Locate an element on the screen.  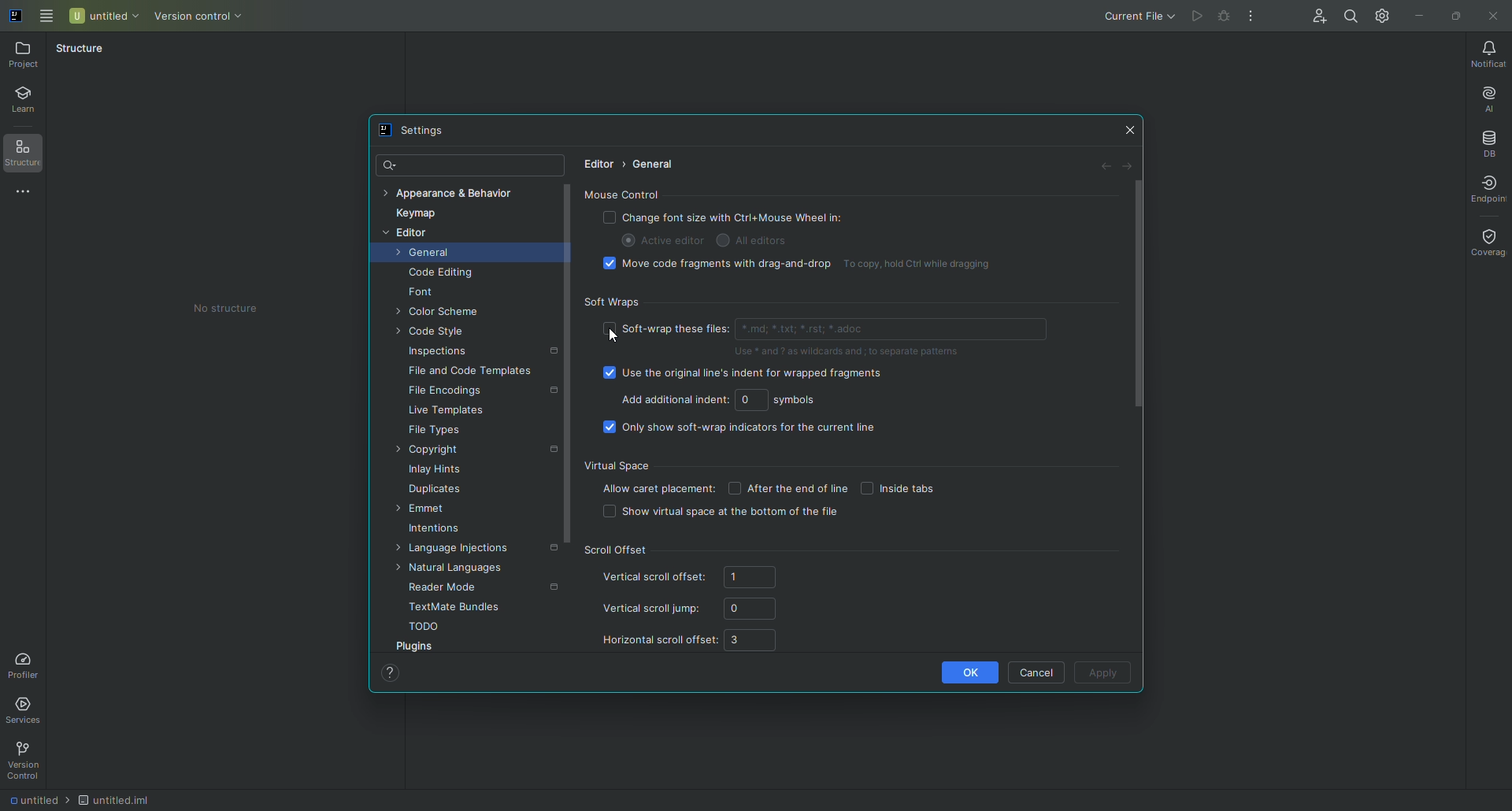
Next is located at coordinates (1132, 168).